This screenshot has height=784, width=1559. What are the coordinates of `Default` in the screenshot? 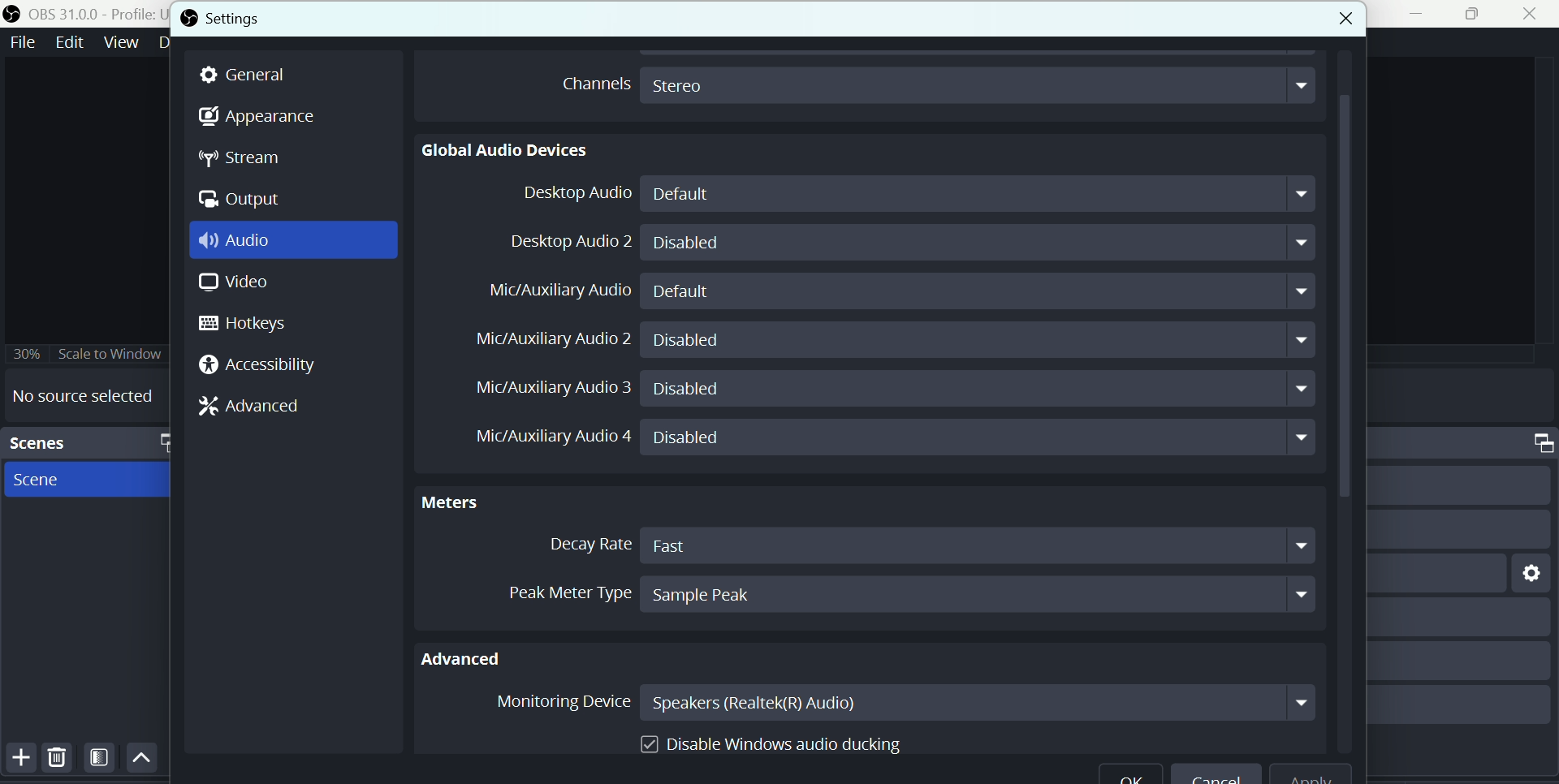 It's located at (983, 194).